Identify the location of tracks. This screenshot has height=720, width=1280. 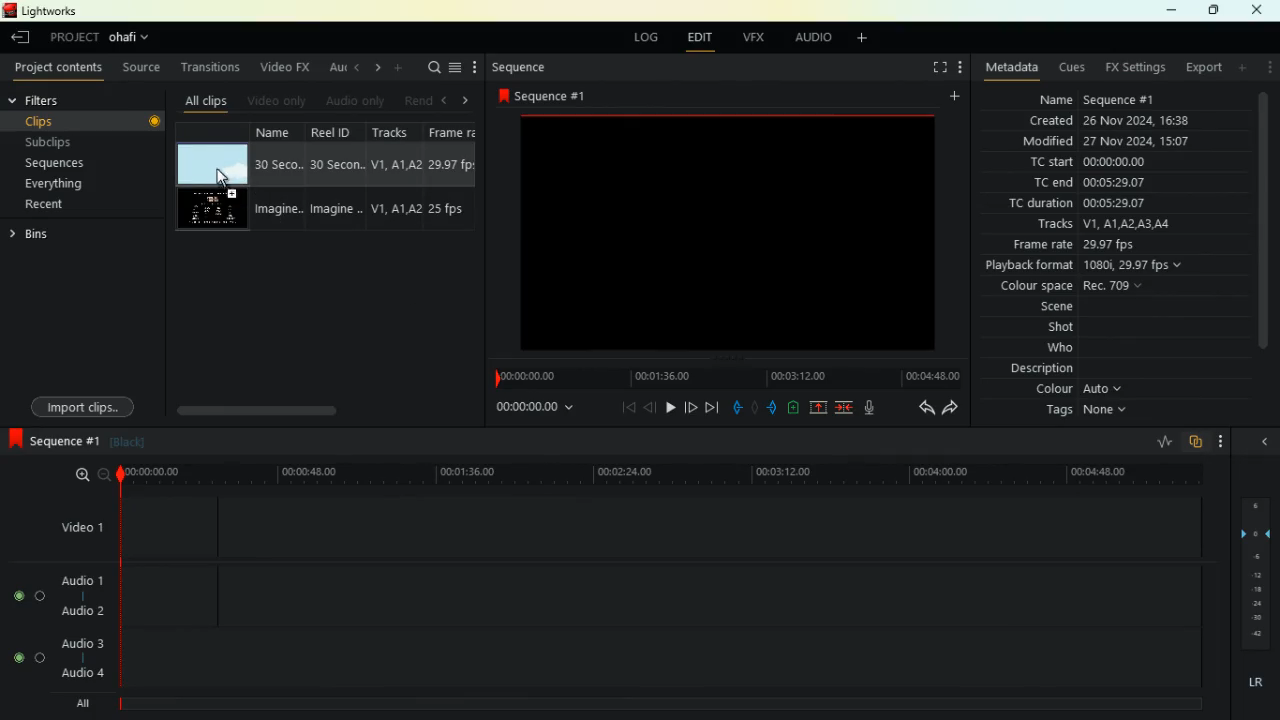
(1057, 225).